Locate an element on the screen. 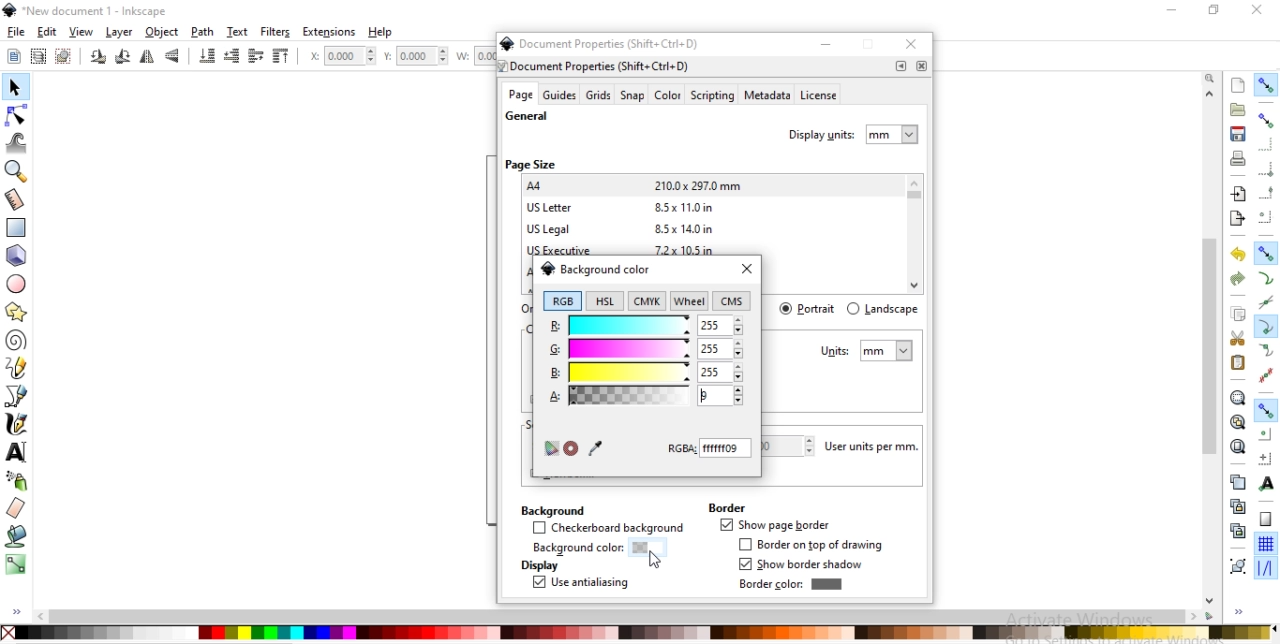 The width and height of the screenshot is (1280, 644). snap cusp nodes is located at coordinates (1265, 328).